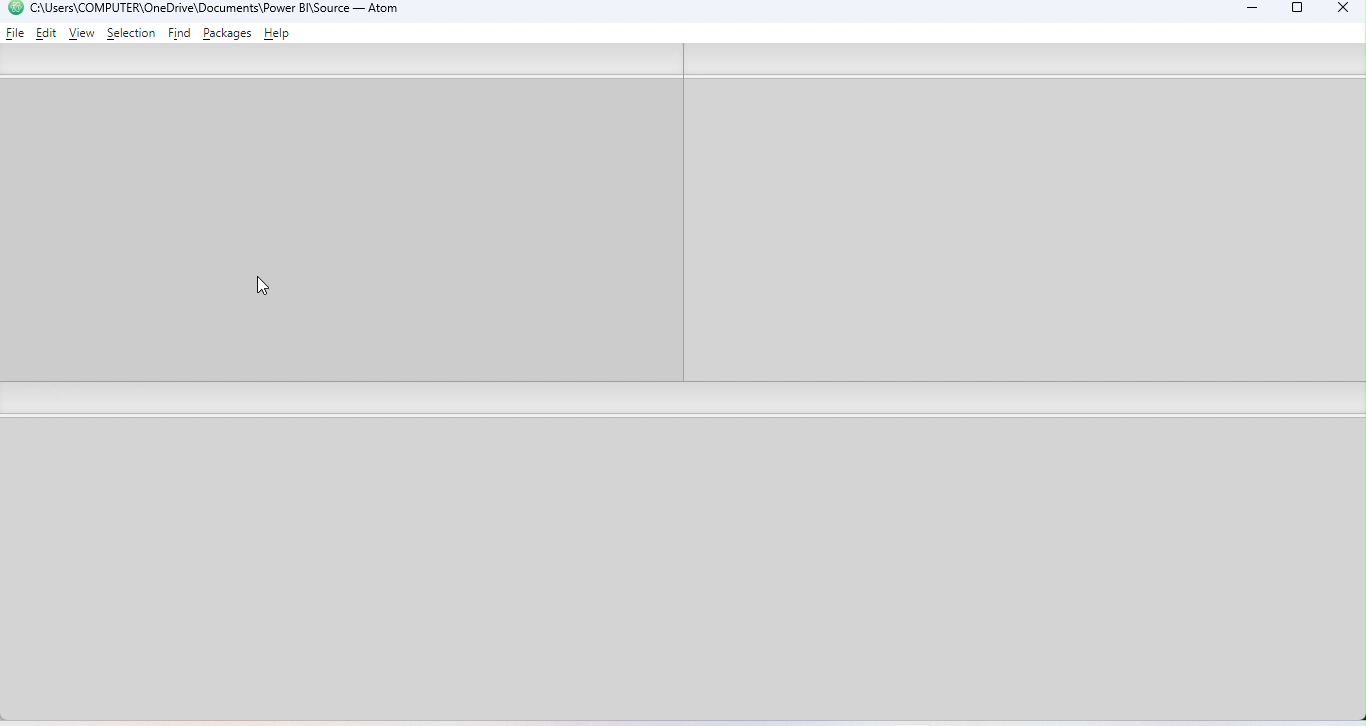  Describe the element at coordinates (181, 34) in the screenshot. I see `Find` at that location.